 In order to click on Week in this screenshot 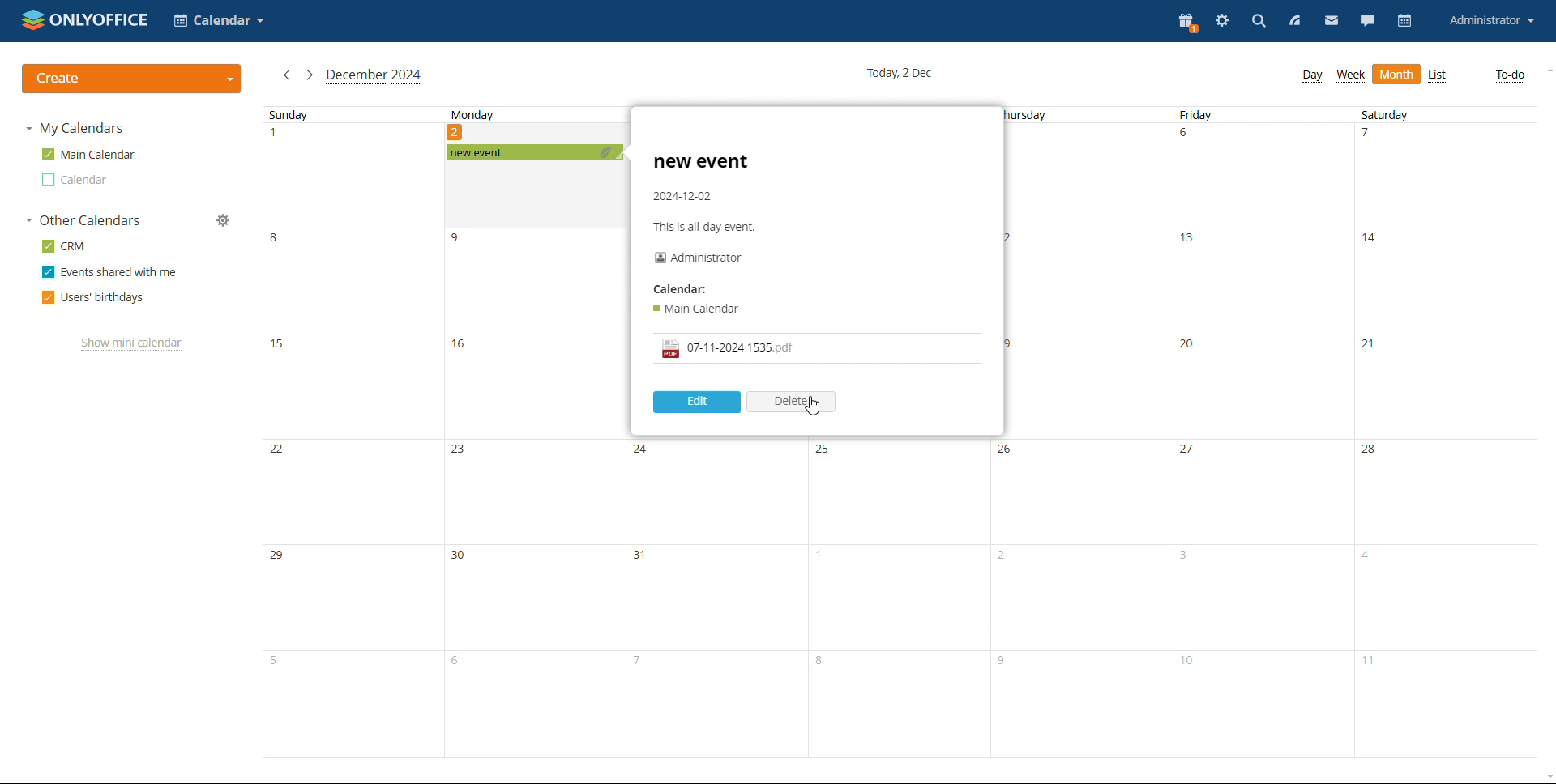, I will do `click(1351, 75)`.